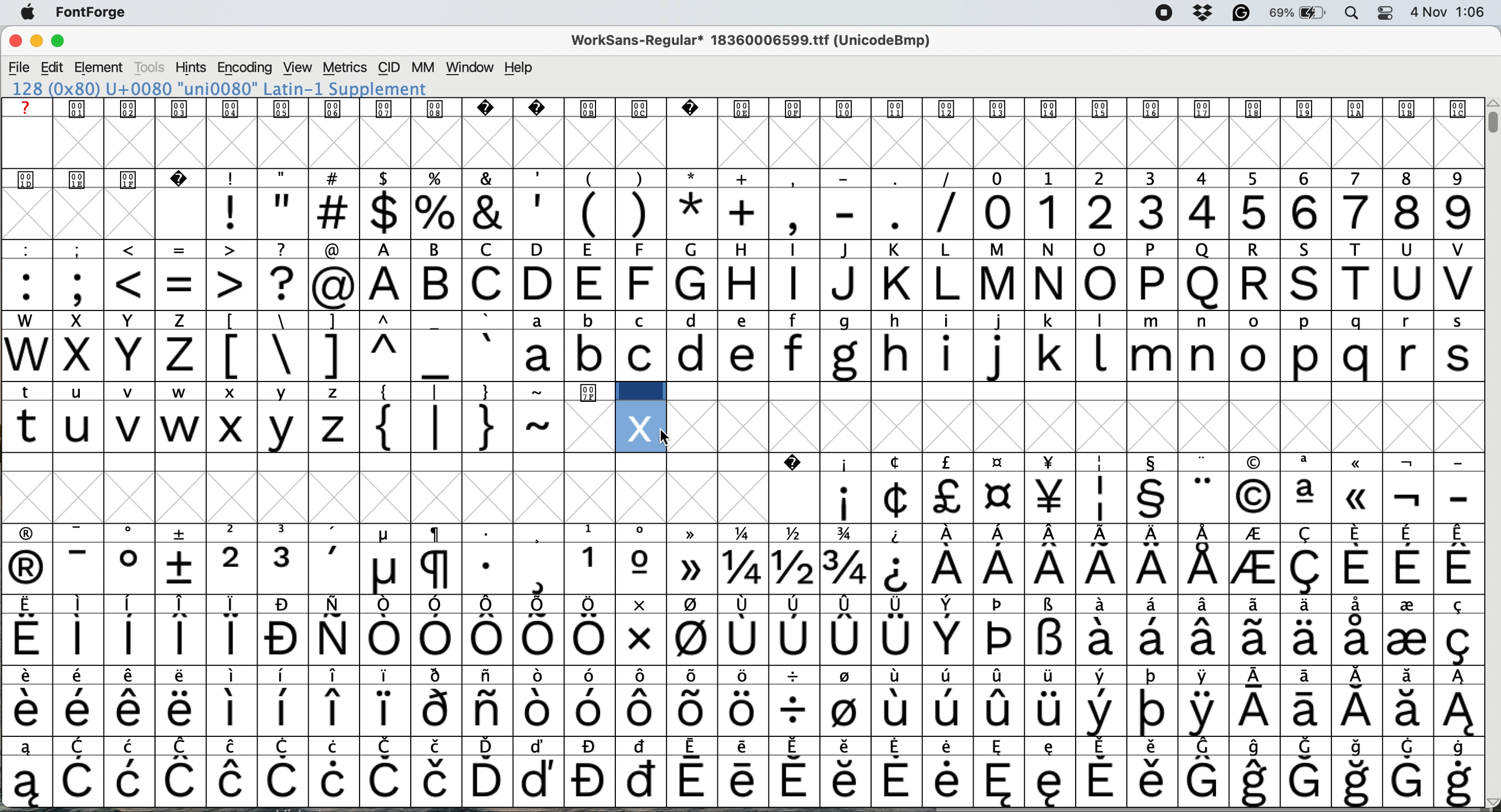 The image size is (1501, 812). What do you see at coordinates (355, 355) in the screenshot?
I see `special characters` at bounding box center [355, 355].